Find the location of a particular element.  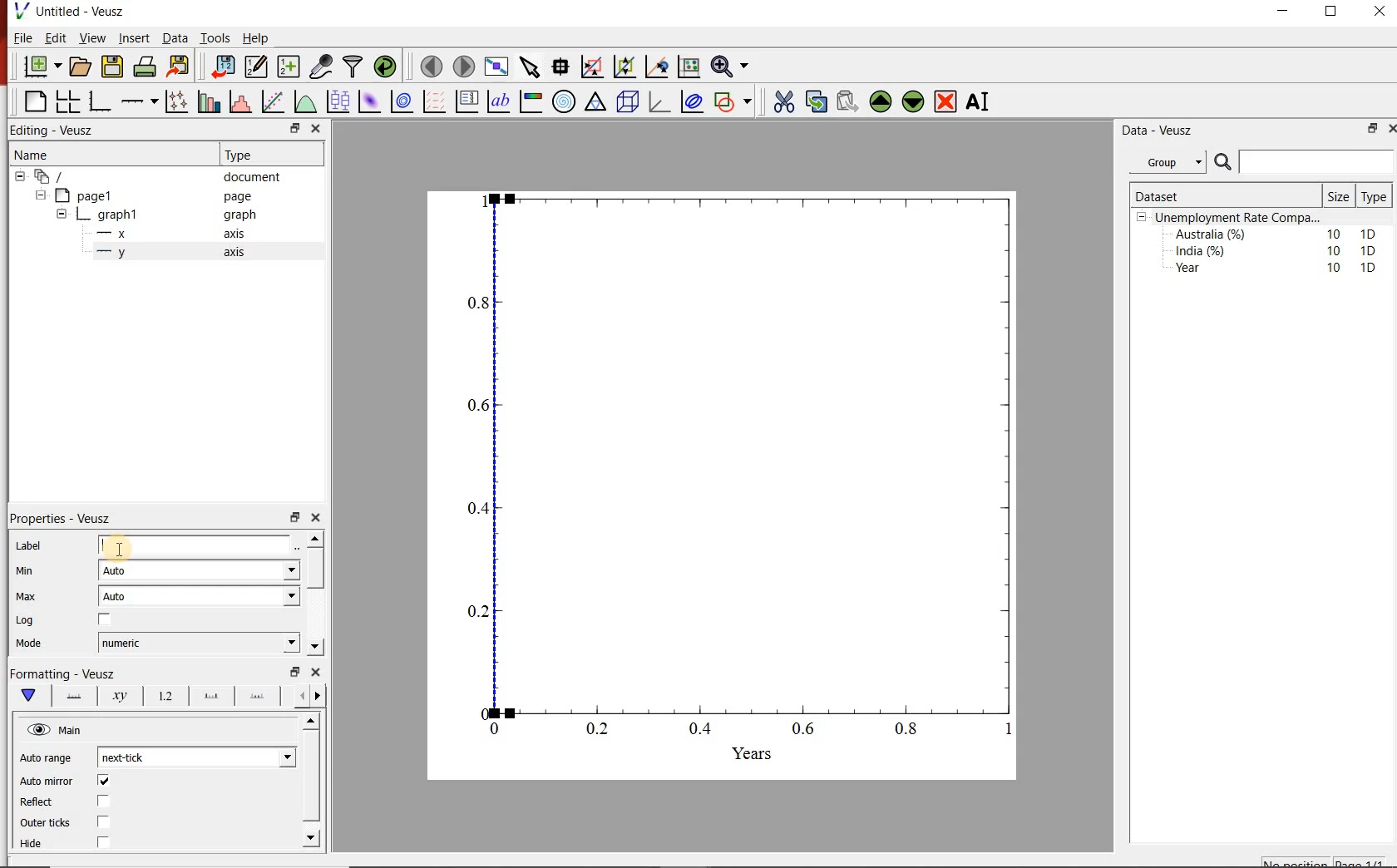

checkbox is located at coordinates (106, 801).